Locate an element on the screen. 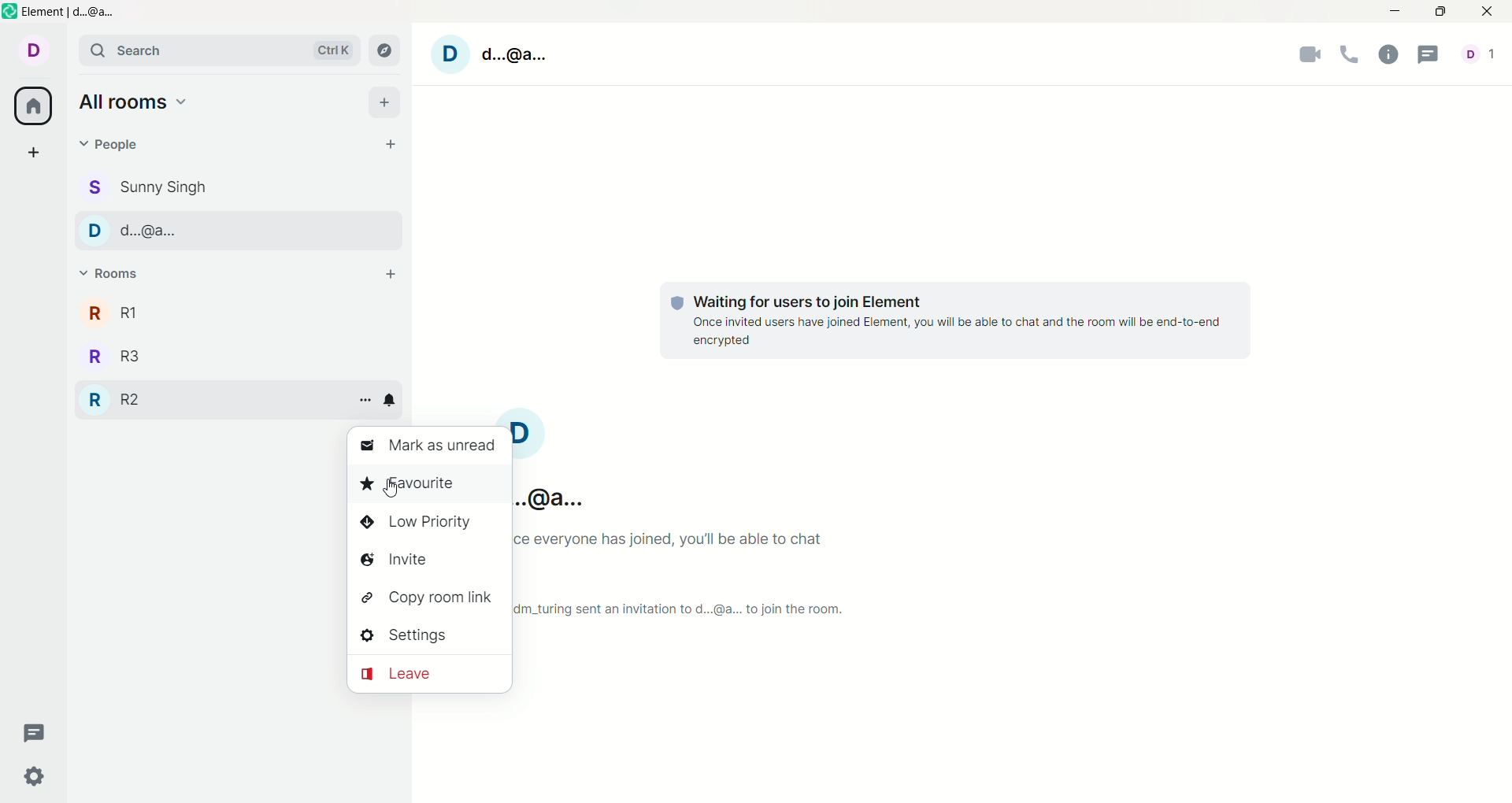 This screenshot has width=1512, height=803. Element | d...@a... is located at coordinates (71, 12).